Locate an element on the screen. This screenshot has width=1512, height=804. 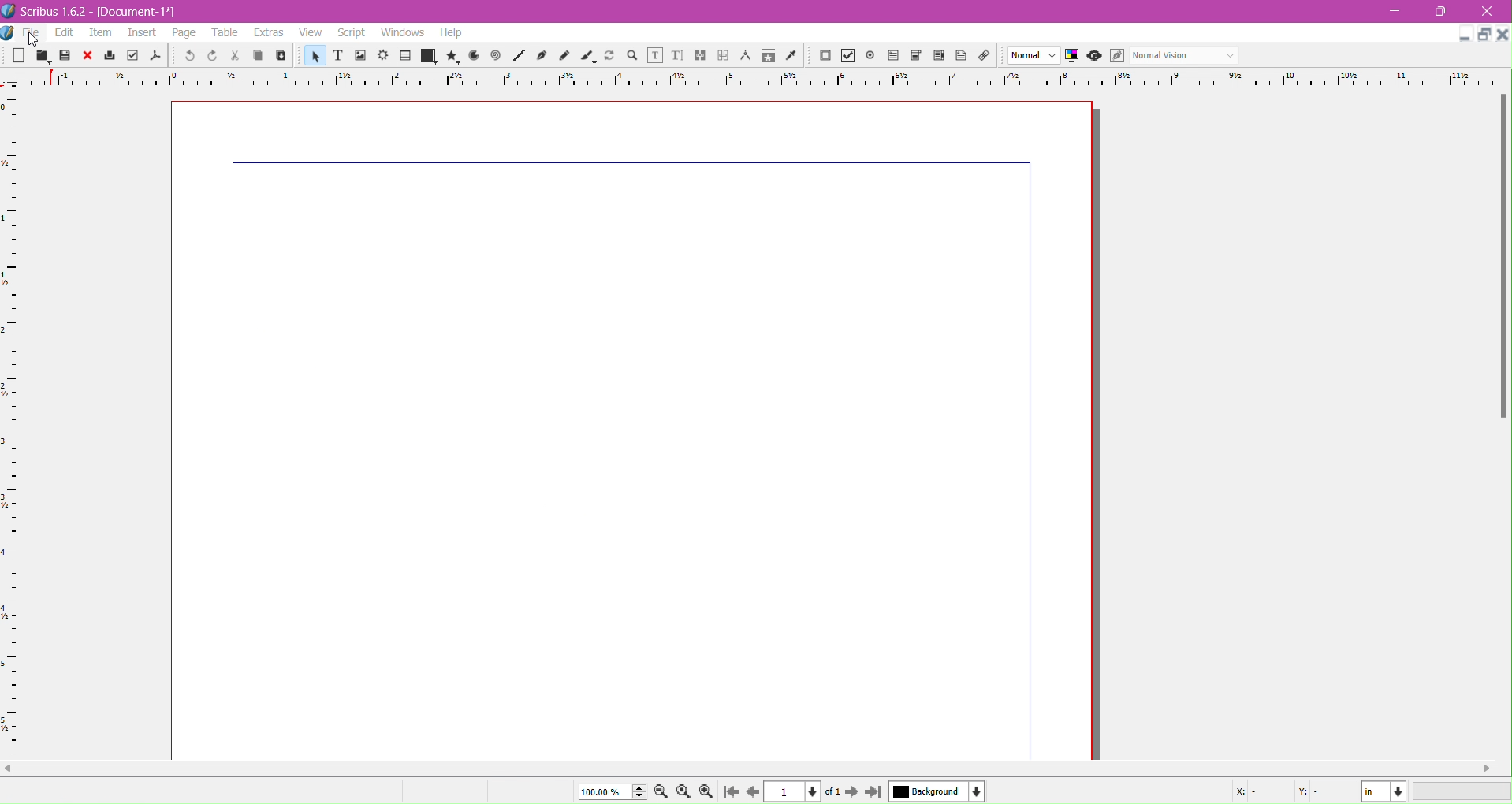
maximize is located at coordinates (1446, 12).